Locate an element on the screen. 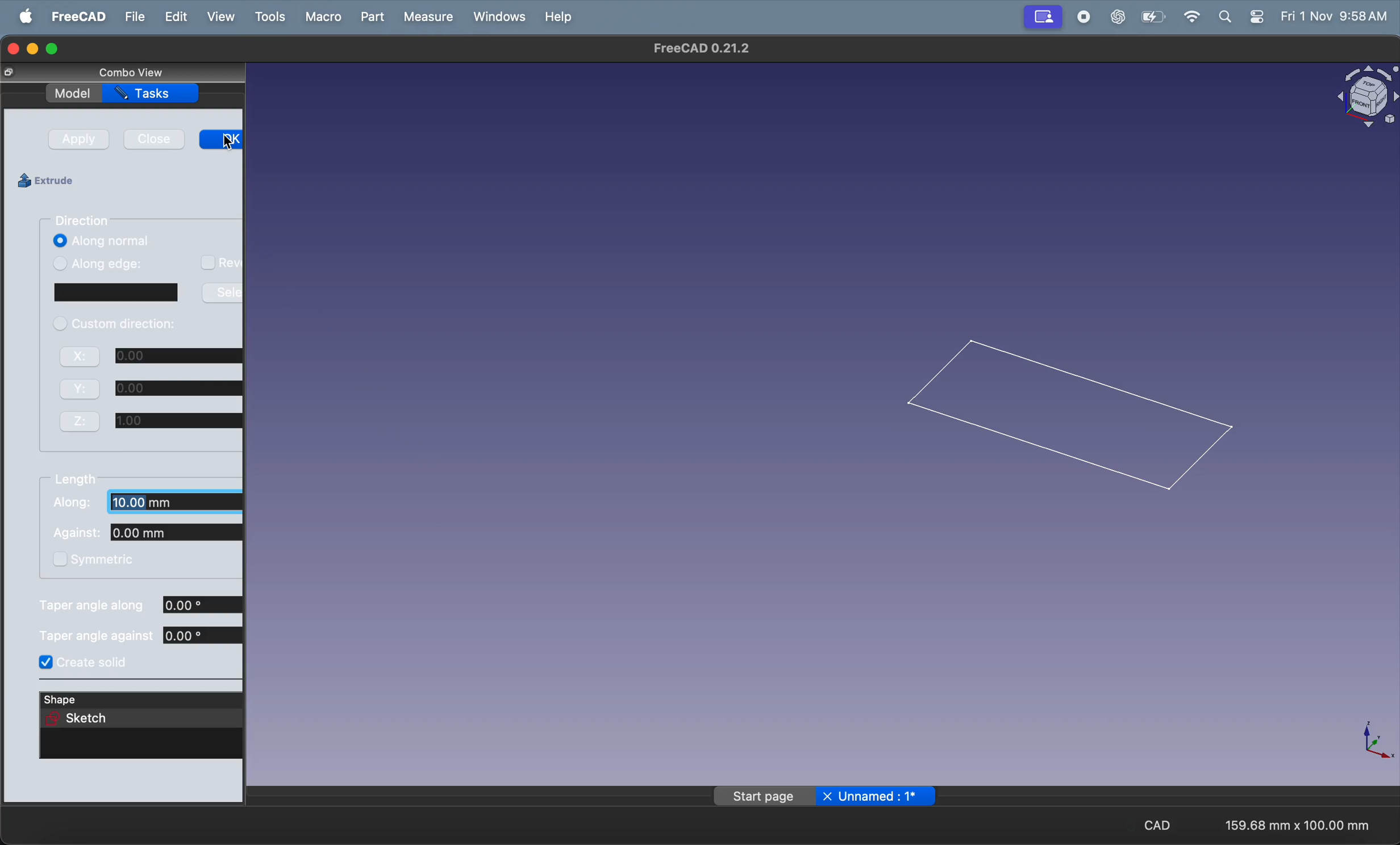 The width and height of the screenshot is (1400, 845). model is located at coordinates (76, 95).